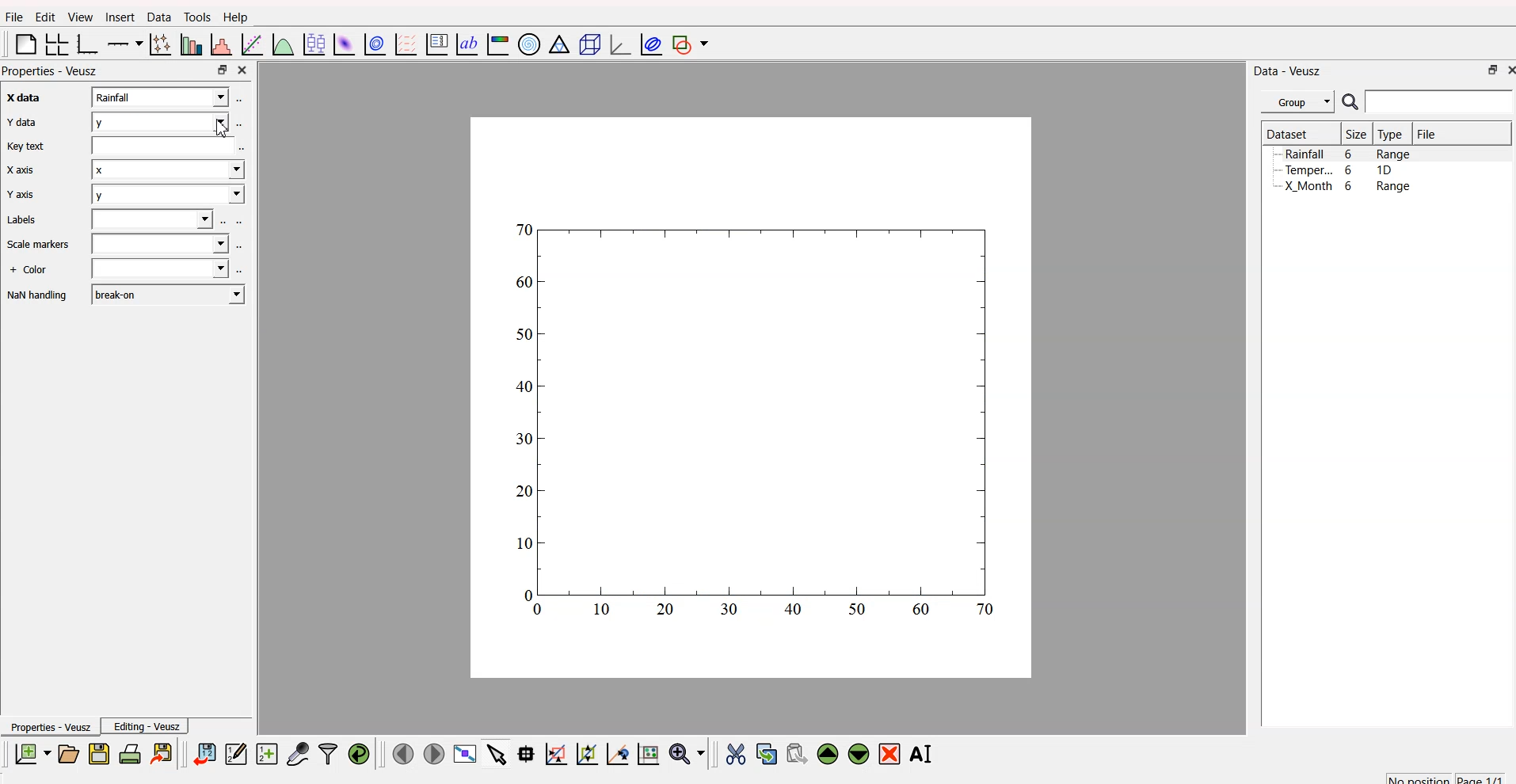 Image resolution: width=1516 pixels, height=784 pixels. What do you see at coordinates (283, 45) in the screenshot?
I see `plot function` at bounding box center [283, 45].